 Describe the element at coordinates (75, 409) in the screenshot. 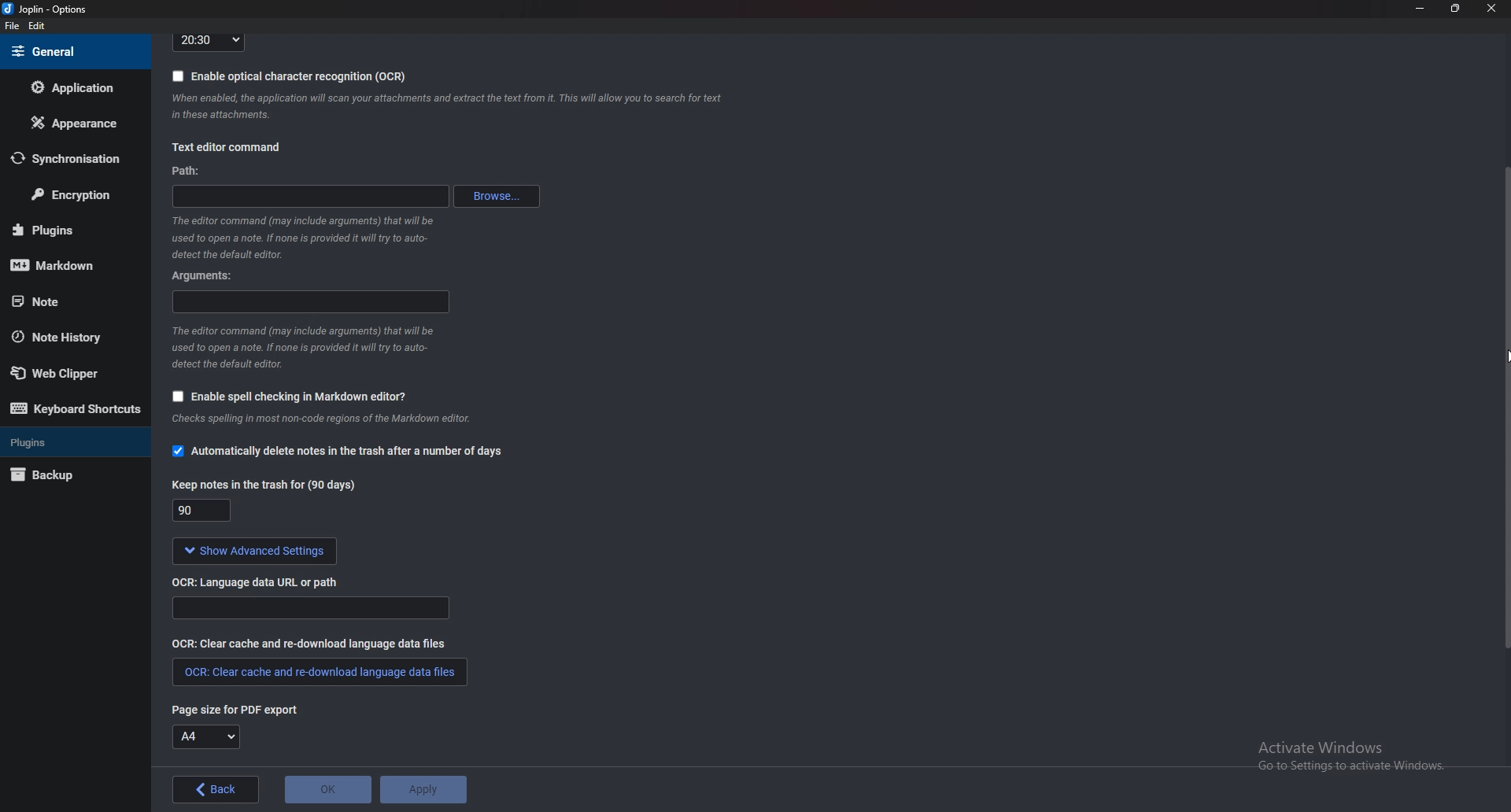

I see `Keyboard shortcuts` at that location.